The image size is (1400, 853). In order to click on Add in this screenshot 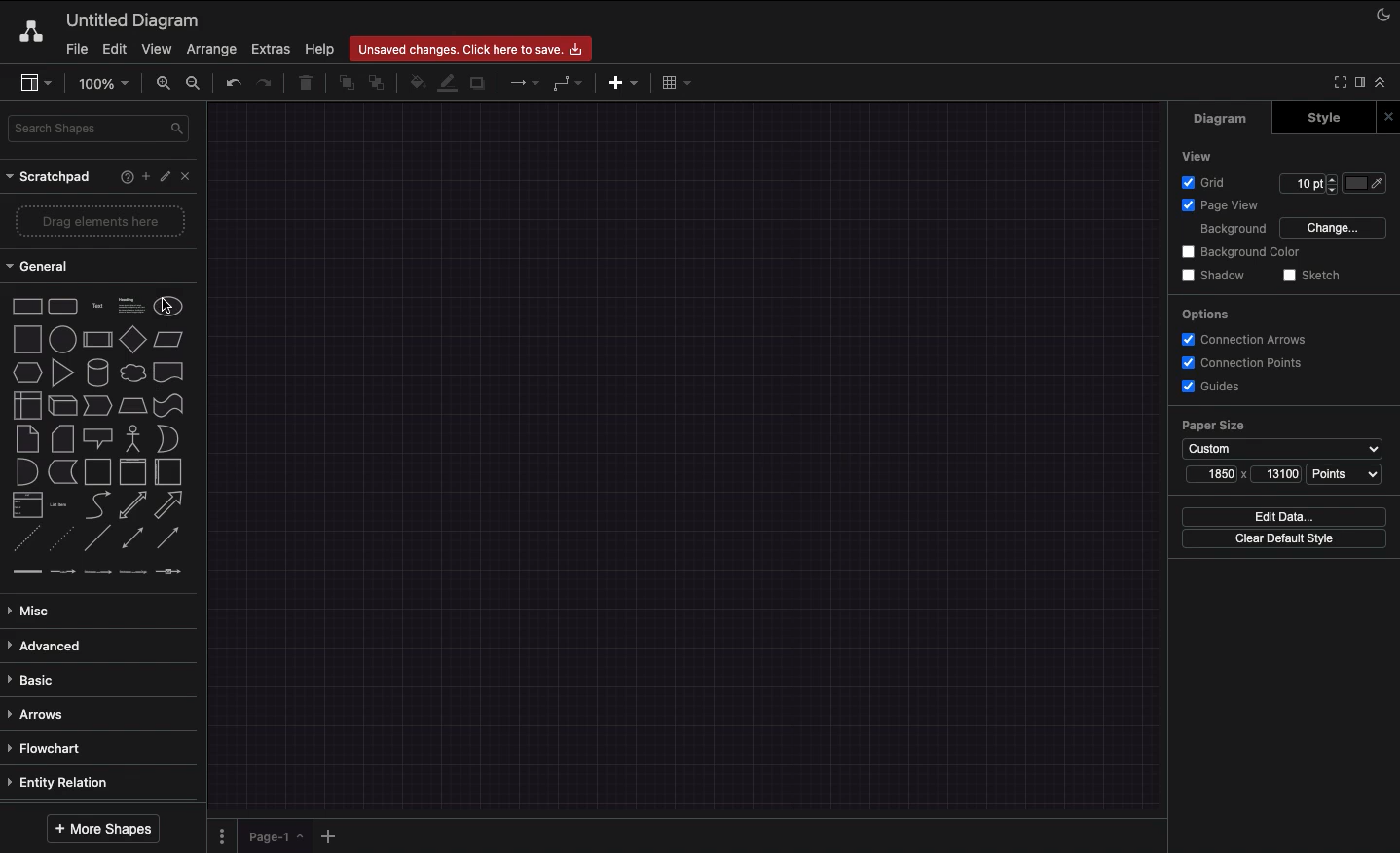, I will do `click(145, 175)`.